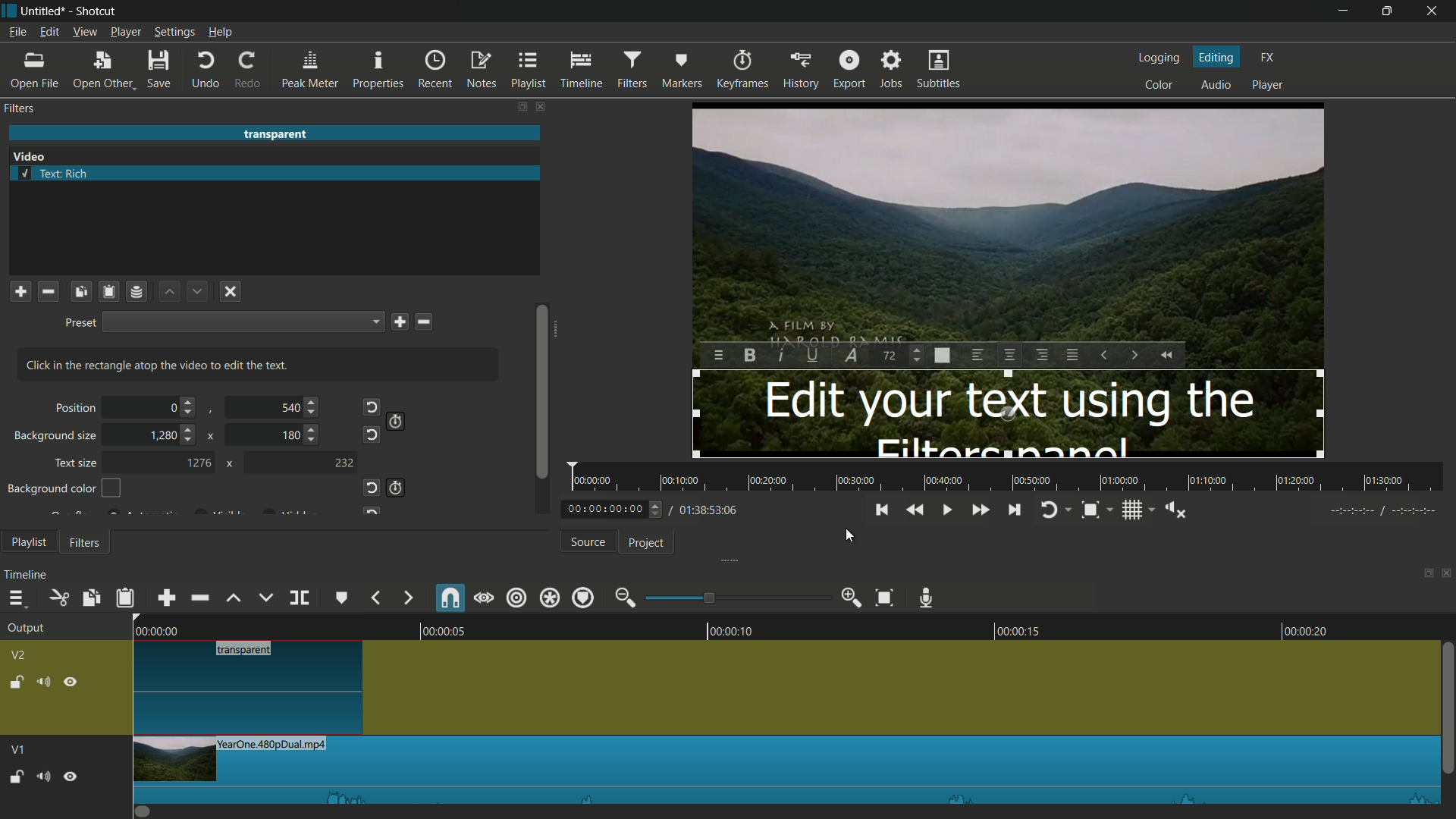 The width and height of the screenshot is (1456, 819). Describe the element at coordinates (531, 71) in the screenshot. I see `playlist` at that location.